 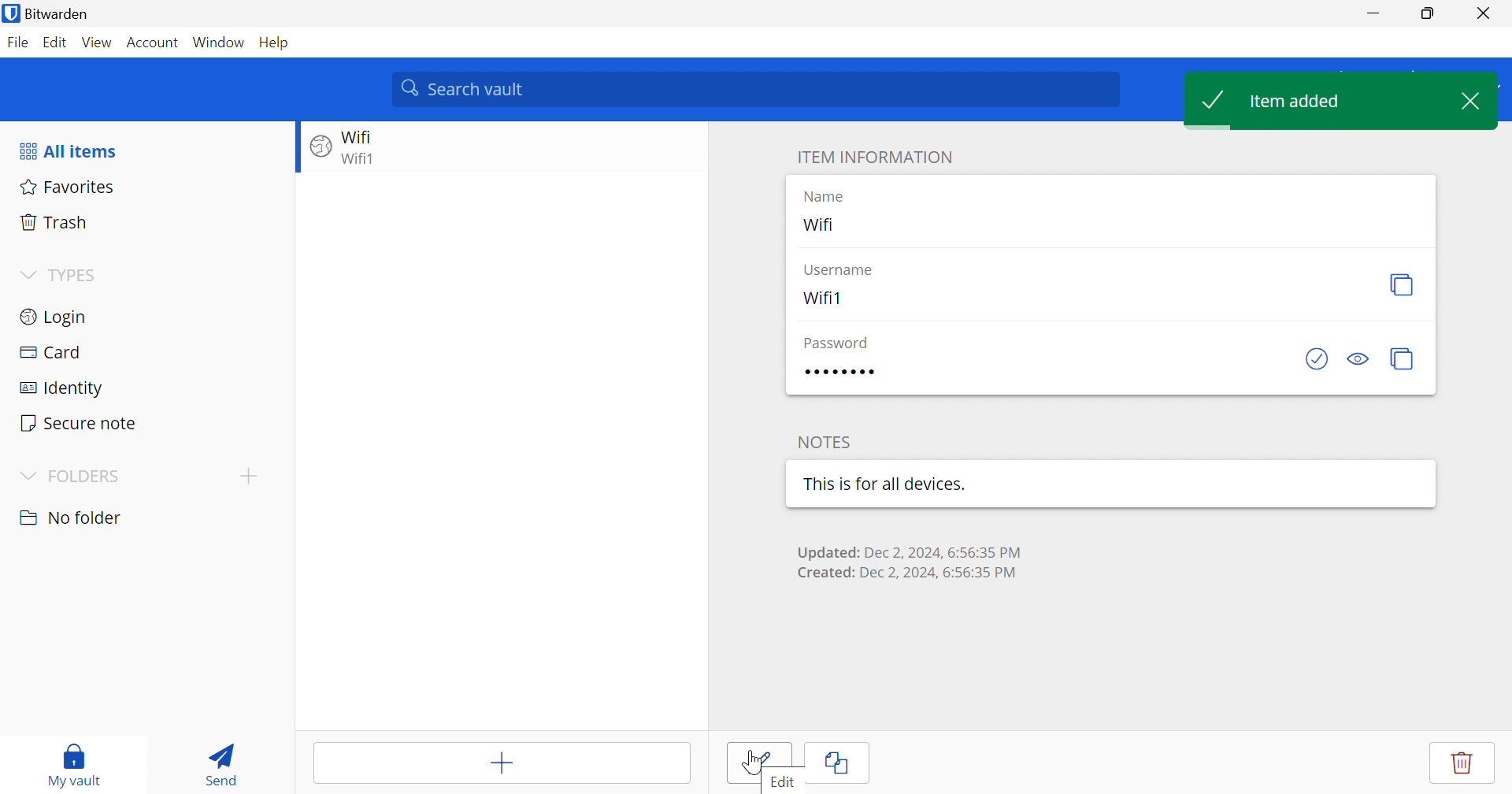 What do you see at coordinates (836, 761) in the screenshot?
I see `Clone` at bounding box center [836, 761].